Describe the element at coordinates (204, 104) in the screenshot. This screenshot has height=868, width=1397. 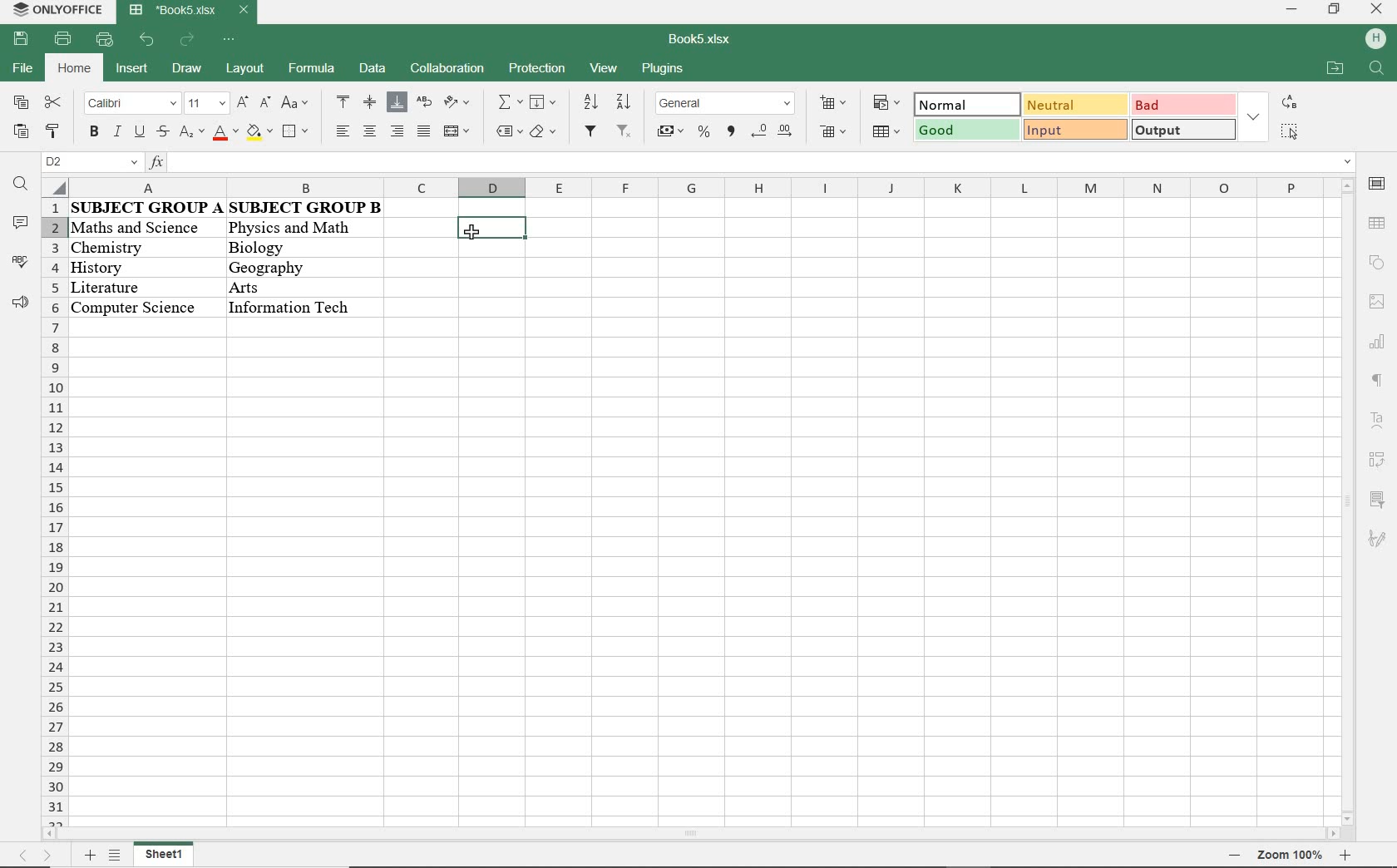
I see `font size` at that location.